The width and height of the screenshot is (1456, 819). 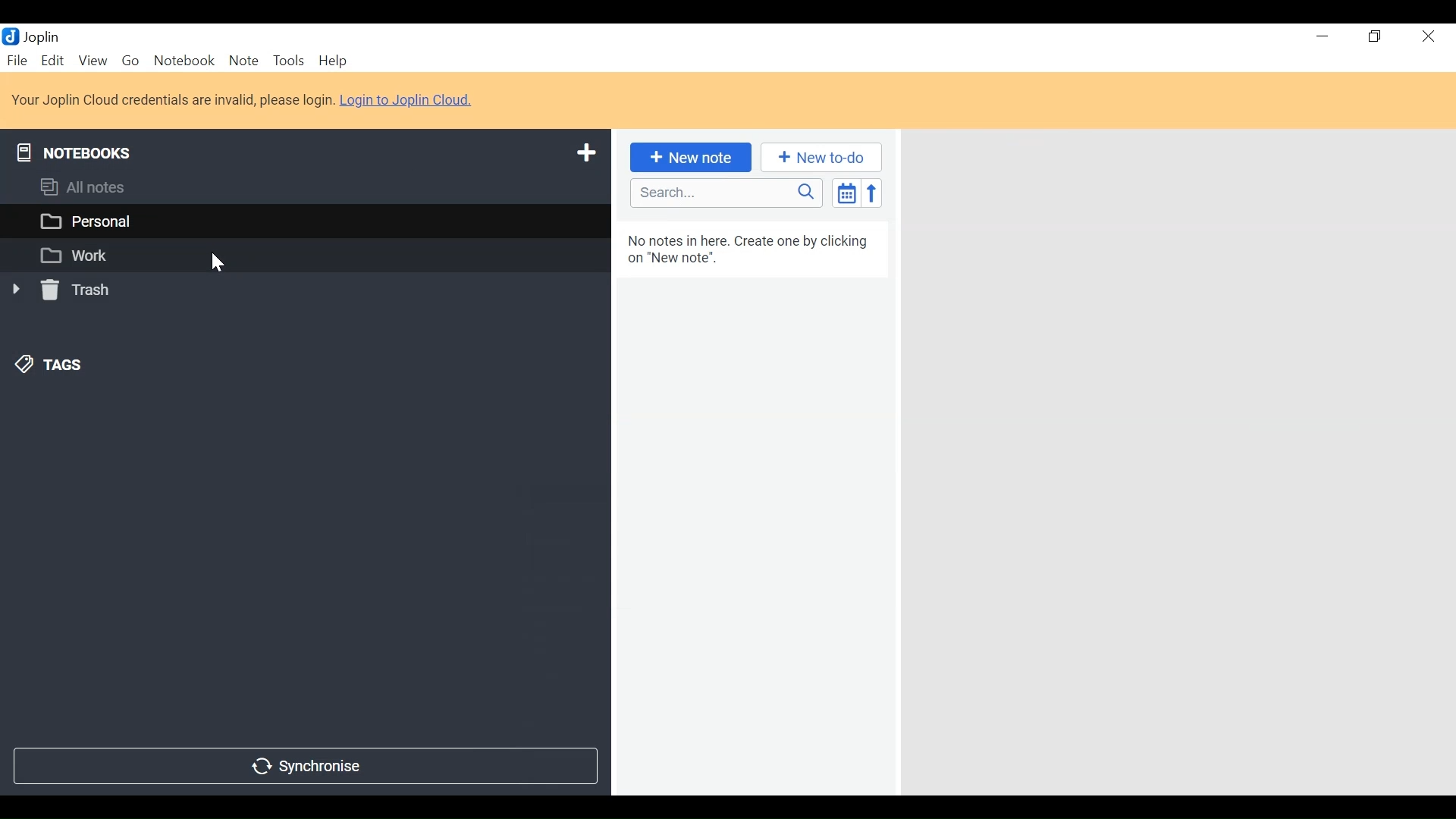 What do you see at coordinates (1375, 36) in the screenshot?
I see `Restore` at bounding box center [1375, 36].